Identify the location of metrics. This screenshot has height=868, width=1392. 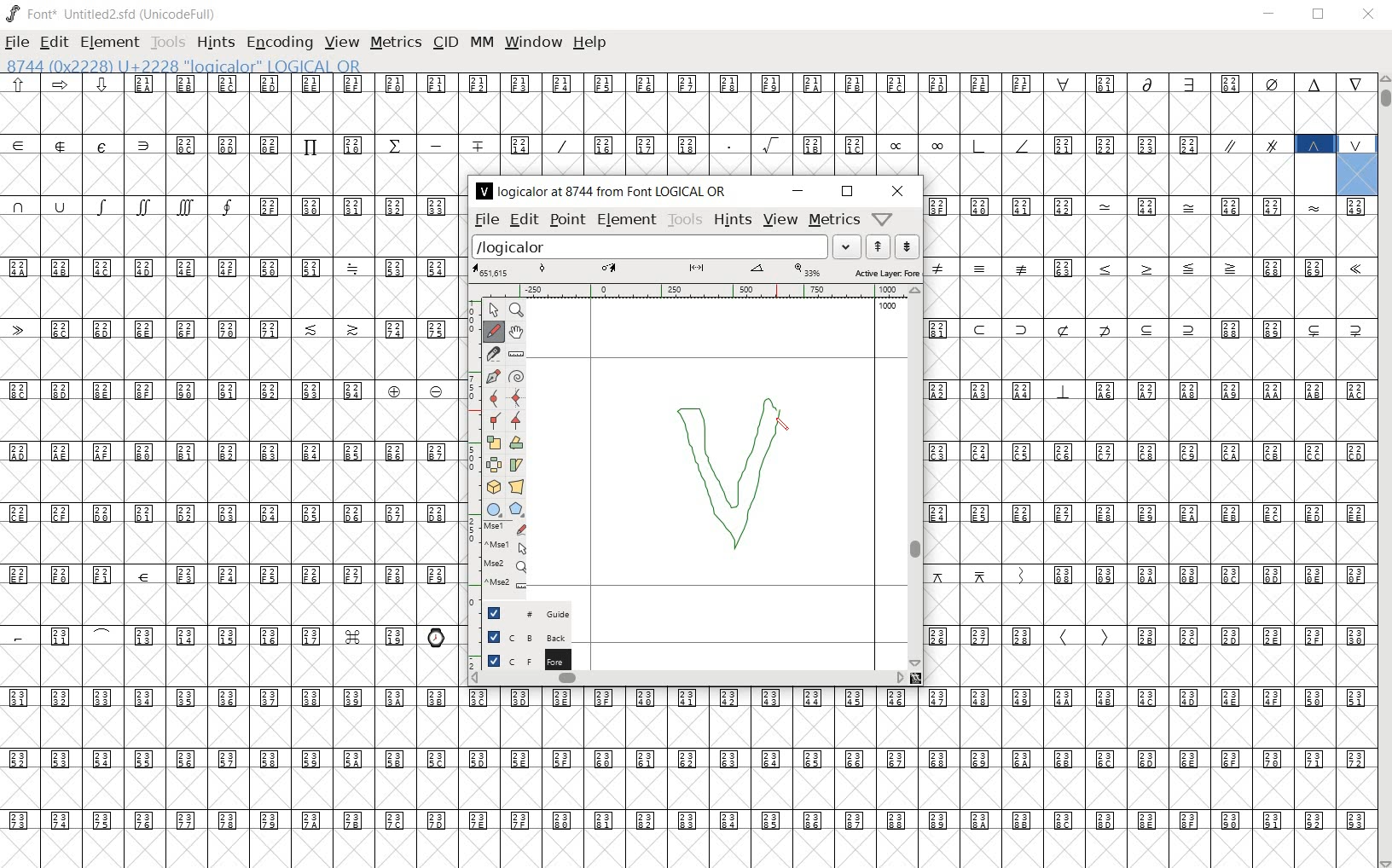
(395, 43).